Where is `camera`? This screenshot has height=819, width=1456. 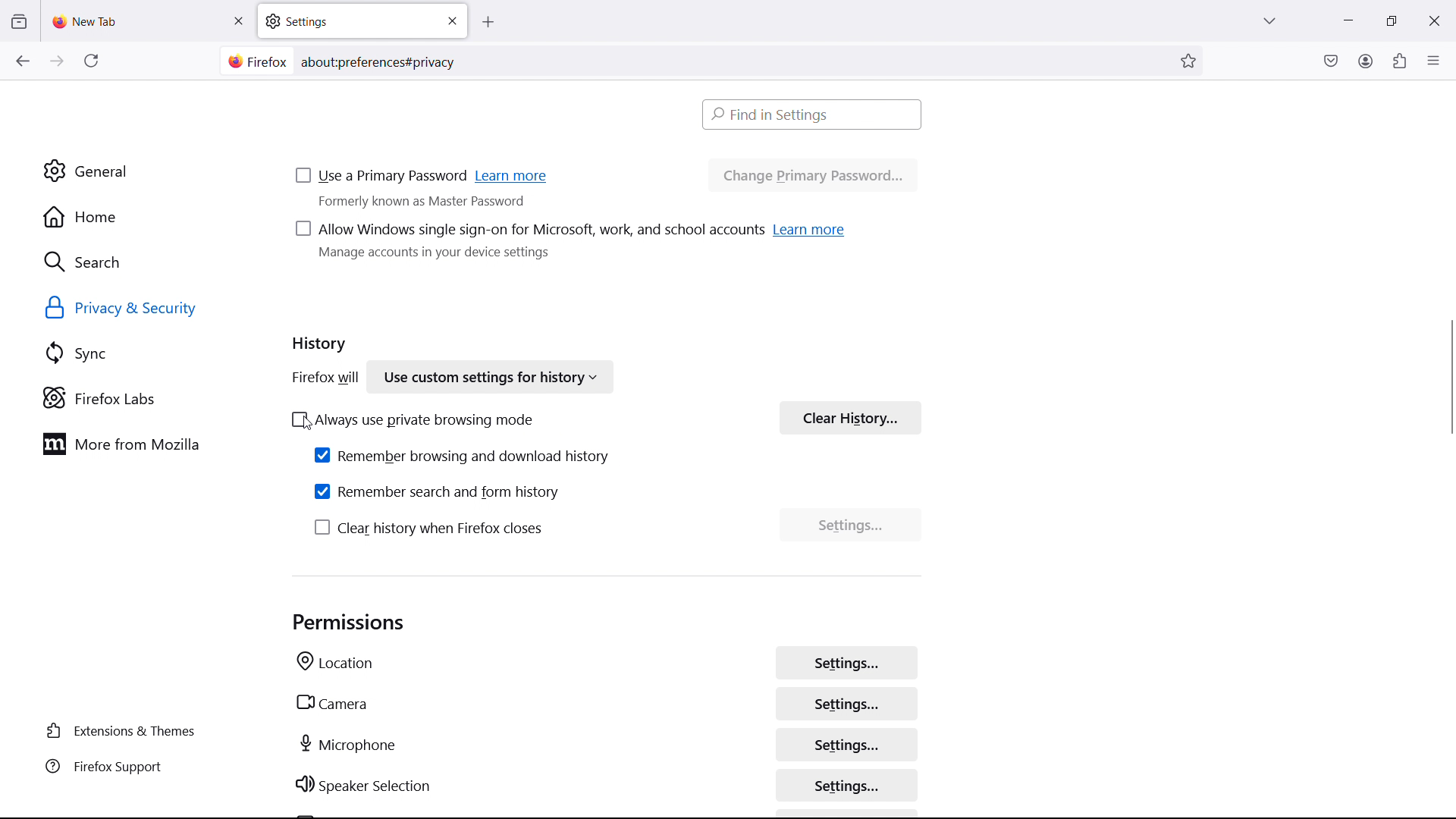
camera is located at coordinates (331, 703).